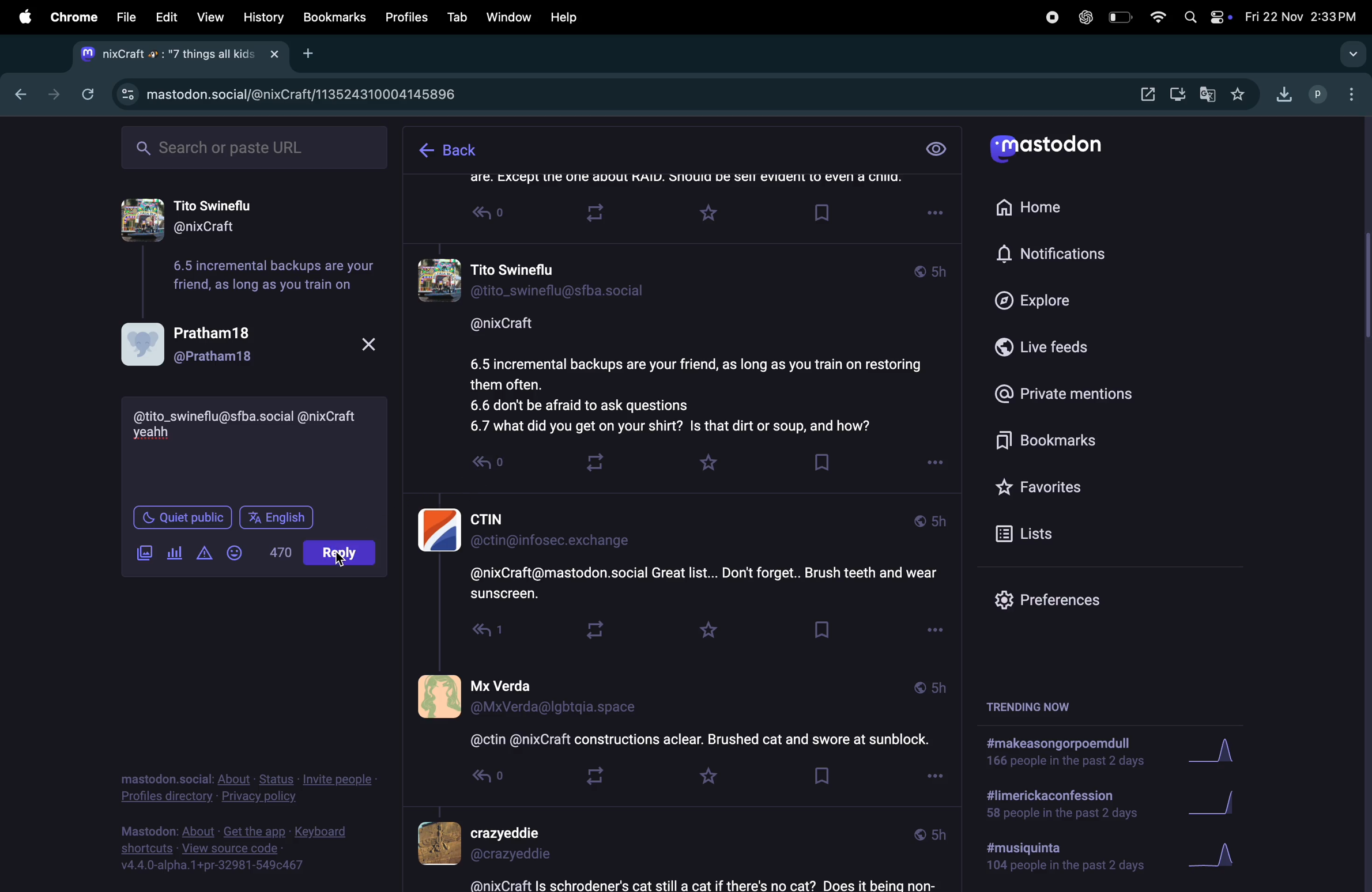 The width and height of the screenshot is (1372, 892). What do you see at coordinates (245, 217) in the screenshot?
I see `Tito Swineflu` at bounding box center [245, 217].